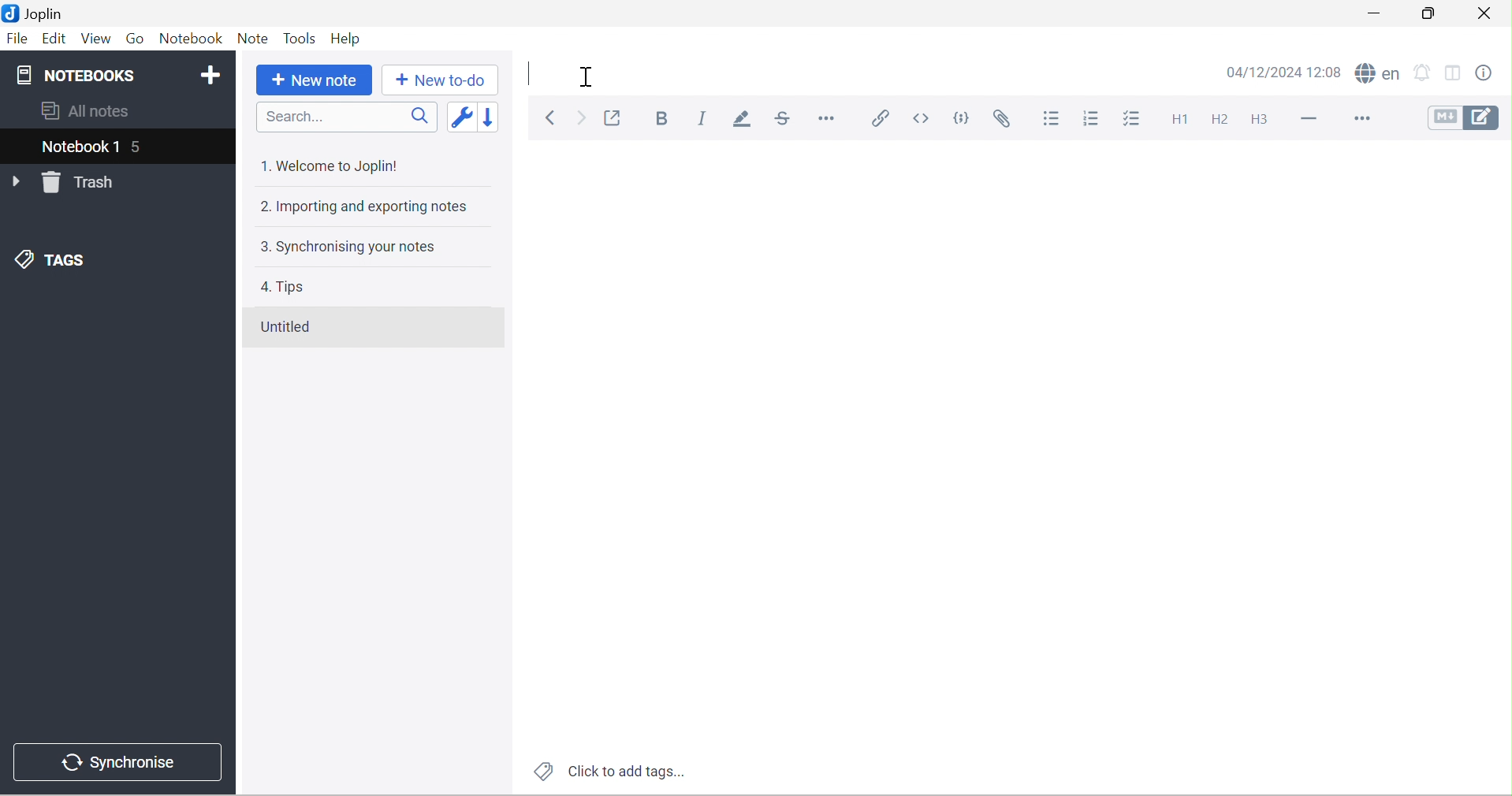  Describe the element at coordinates (193, 40) in the screenshot. I see `Notebook` at that location.